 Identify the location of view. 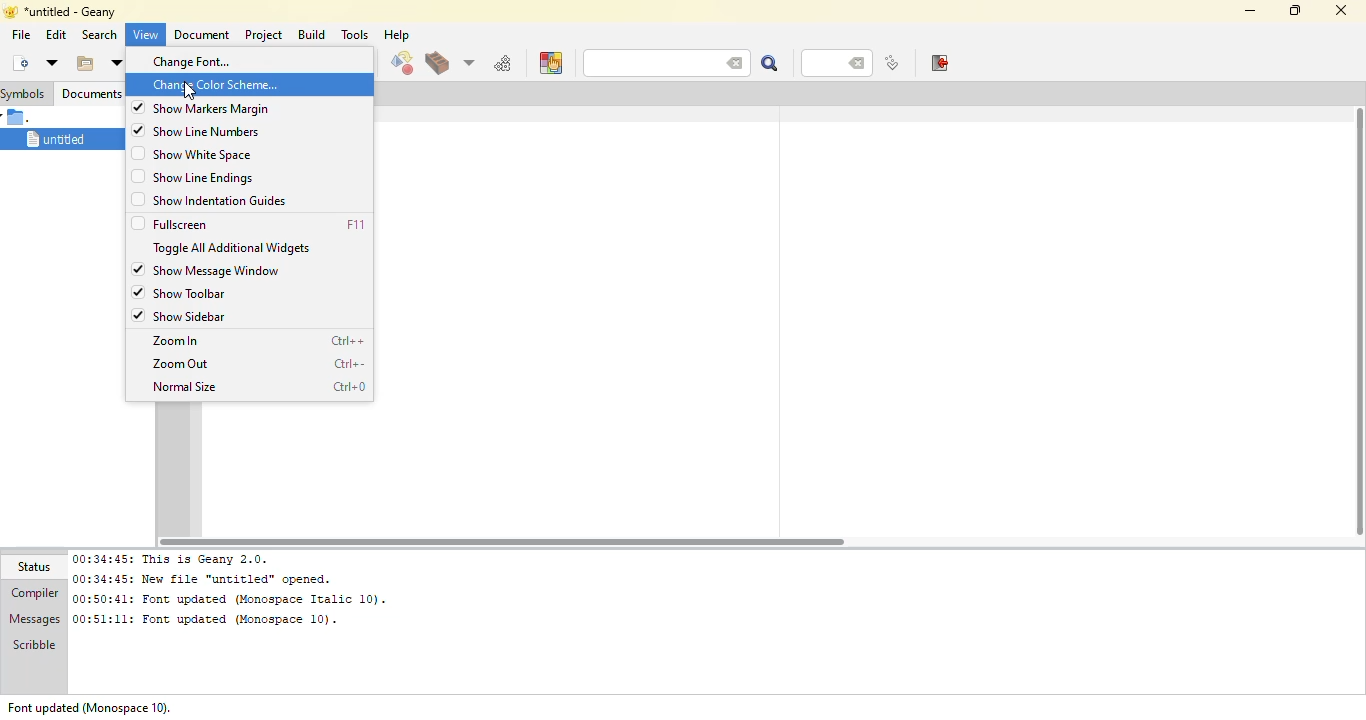
(143, 35).